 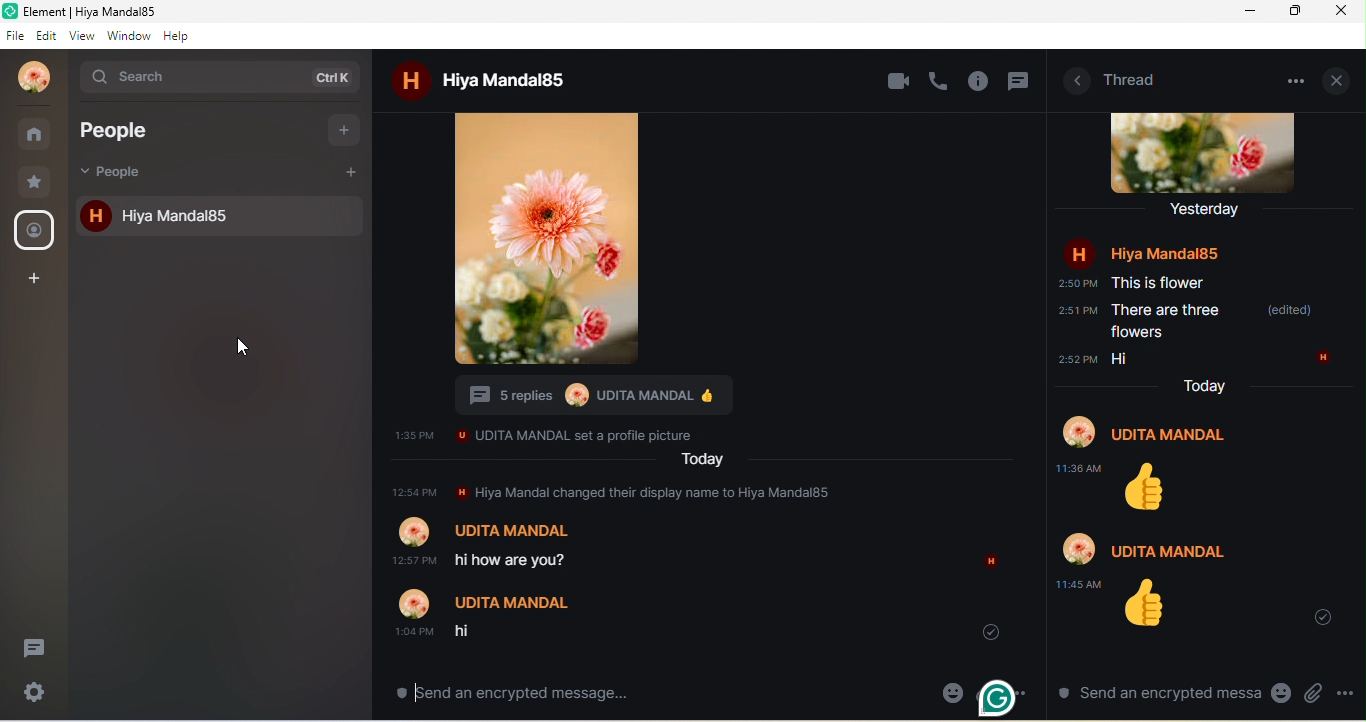 I want to click on Today, so click(x=1202, y=384).